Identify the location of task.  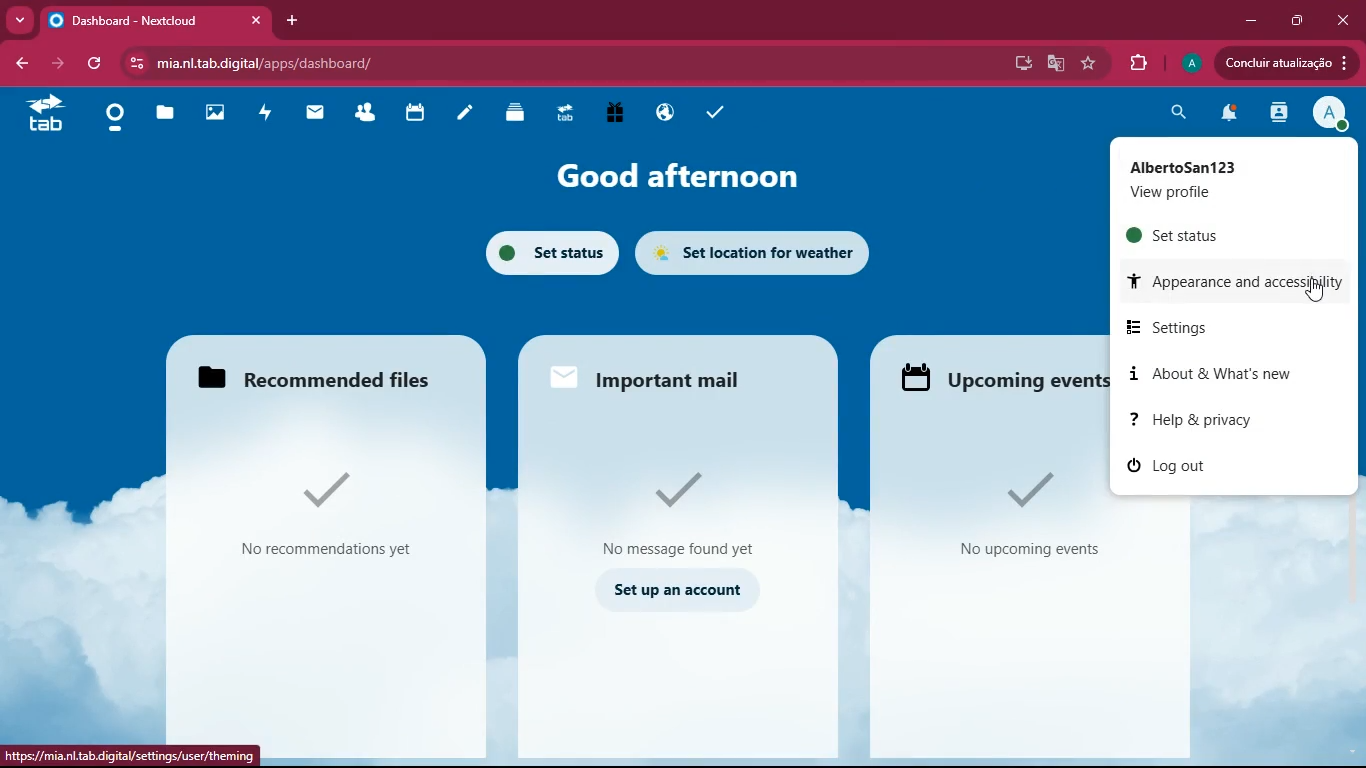
(716, 113).